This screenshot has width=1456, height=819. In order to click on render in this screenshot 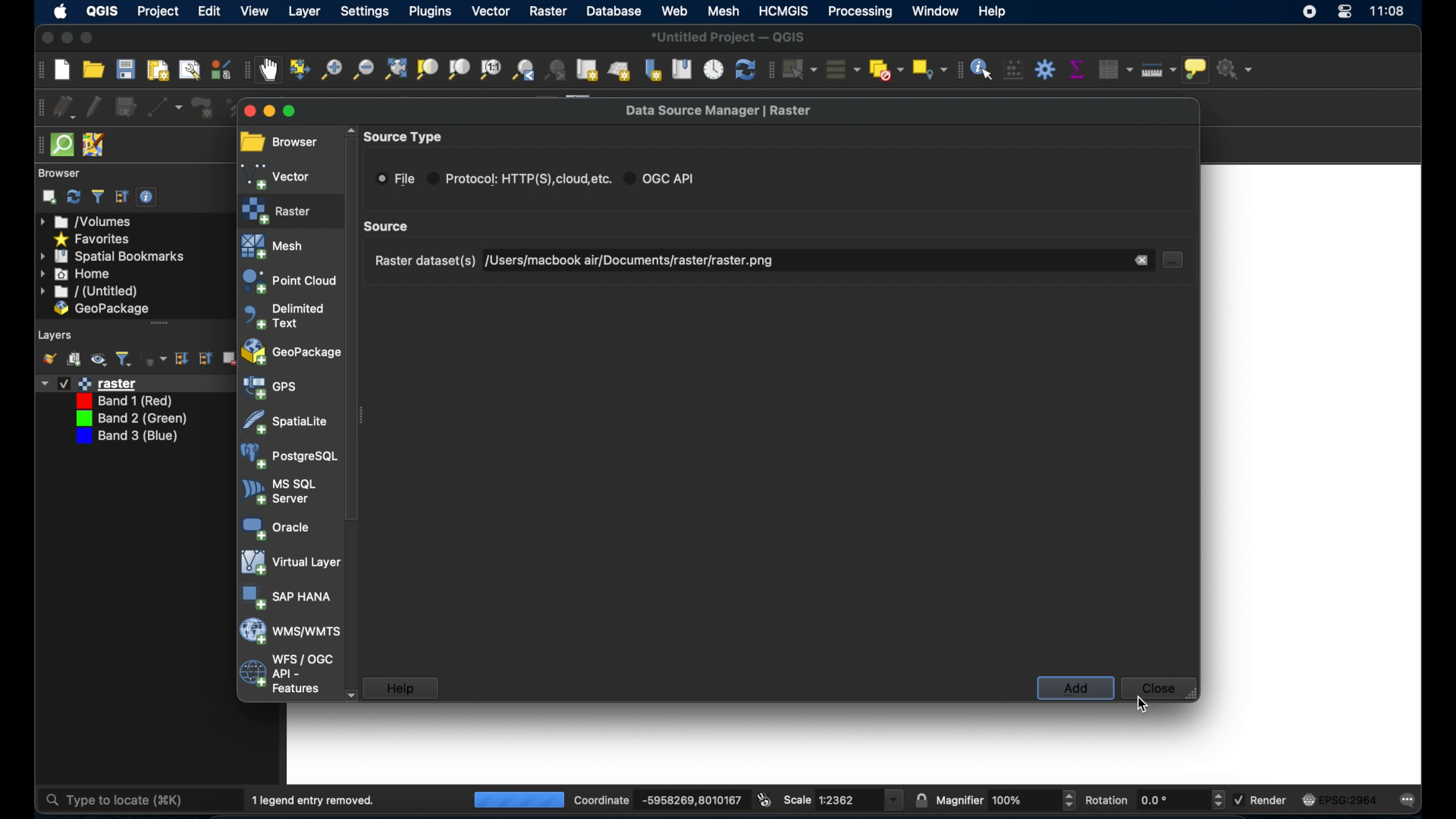, I will do `click(1272, 801)`.